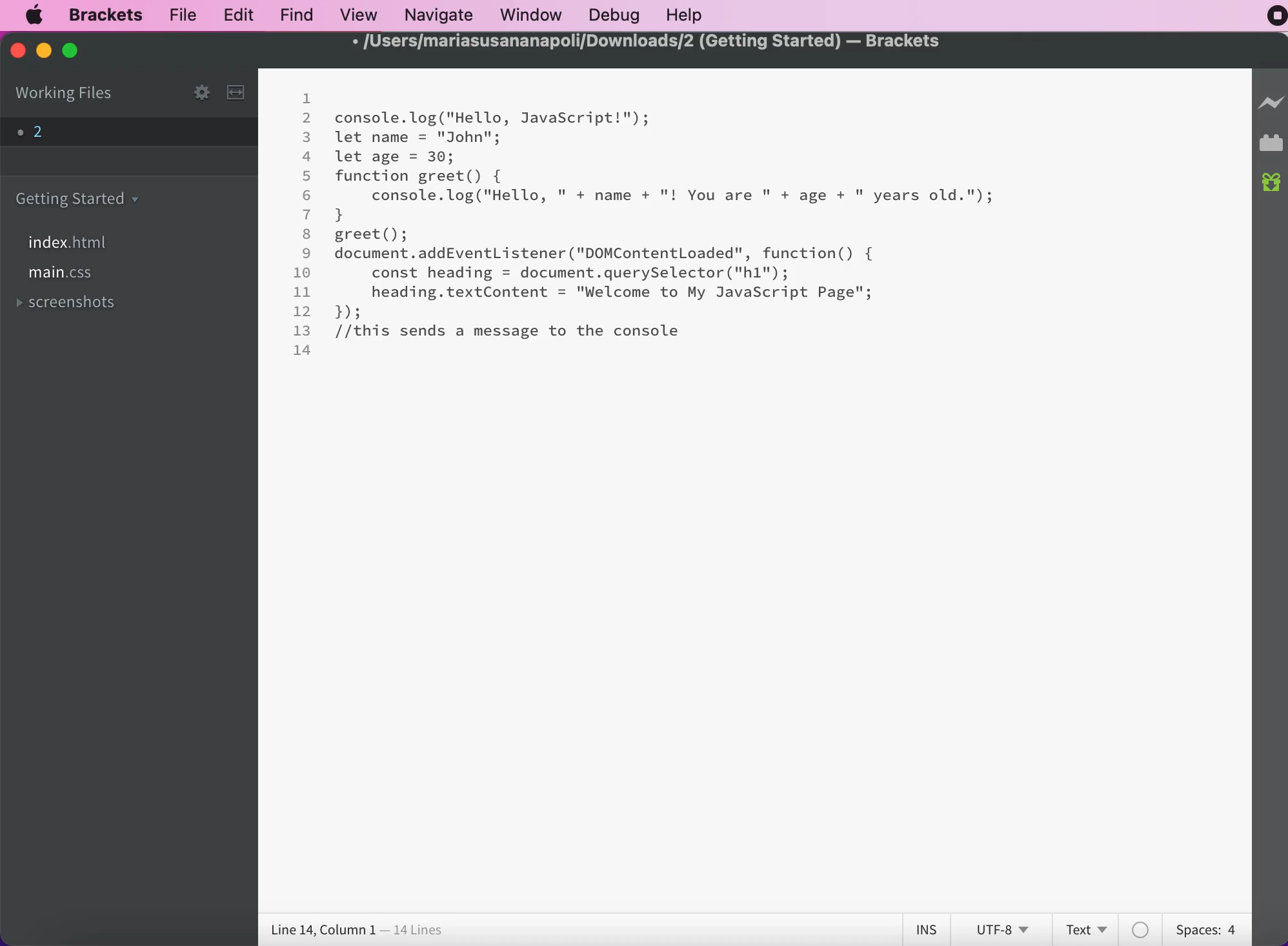  Describe the element at coordinates (307, 214) in the screenshot. I see `7` at that location.